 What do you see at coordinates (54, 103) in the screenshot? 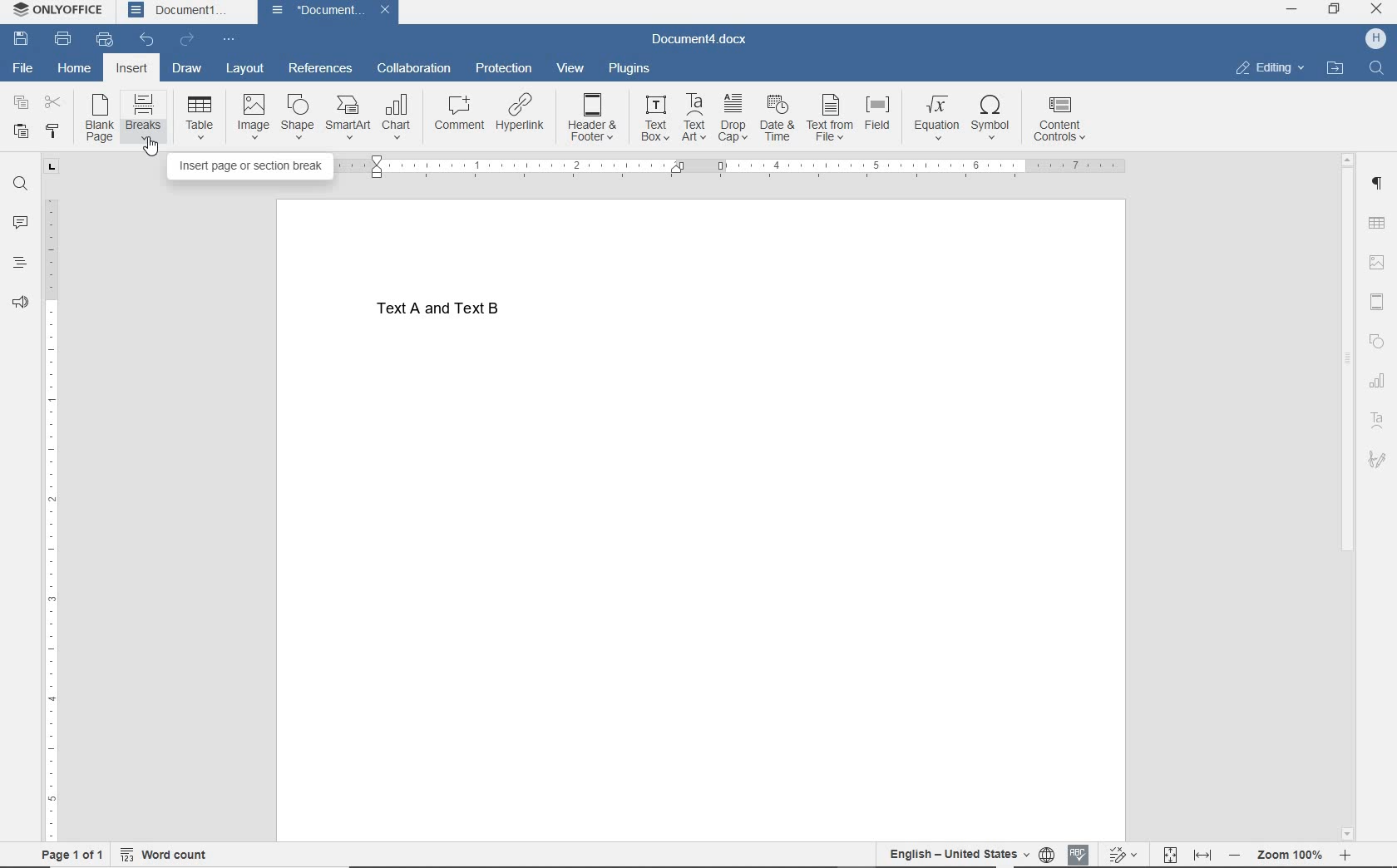
I see `CUT` at bounding box center [54, 103].